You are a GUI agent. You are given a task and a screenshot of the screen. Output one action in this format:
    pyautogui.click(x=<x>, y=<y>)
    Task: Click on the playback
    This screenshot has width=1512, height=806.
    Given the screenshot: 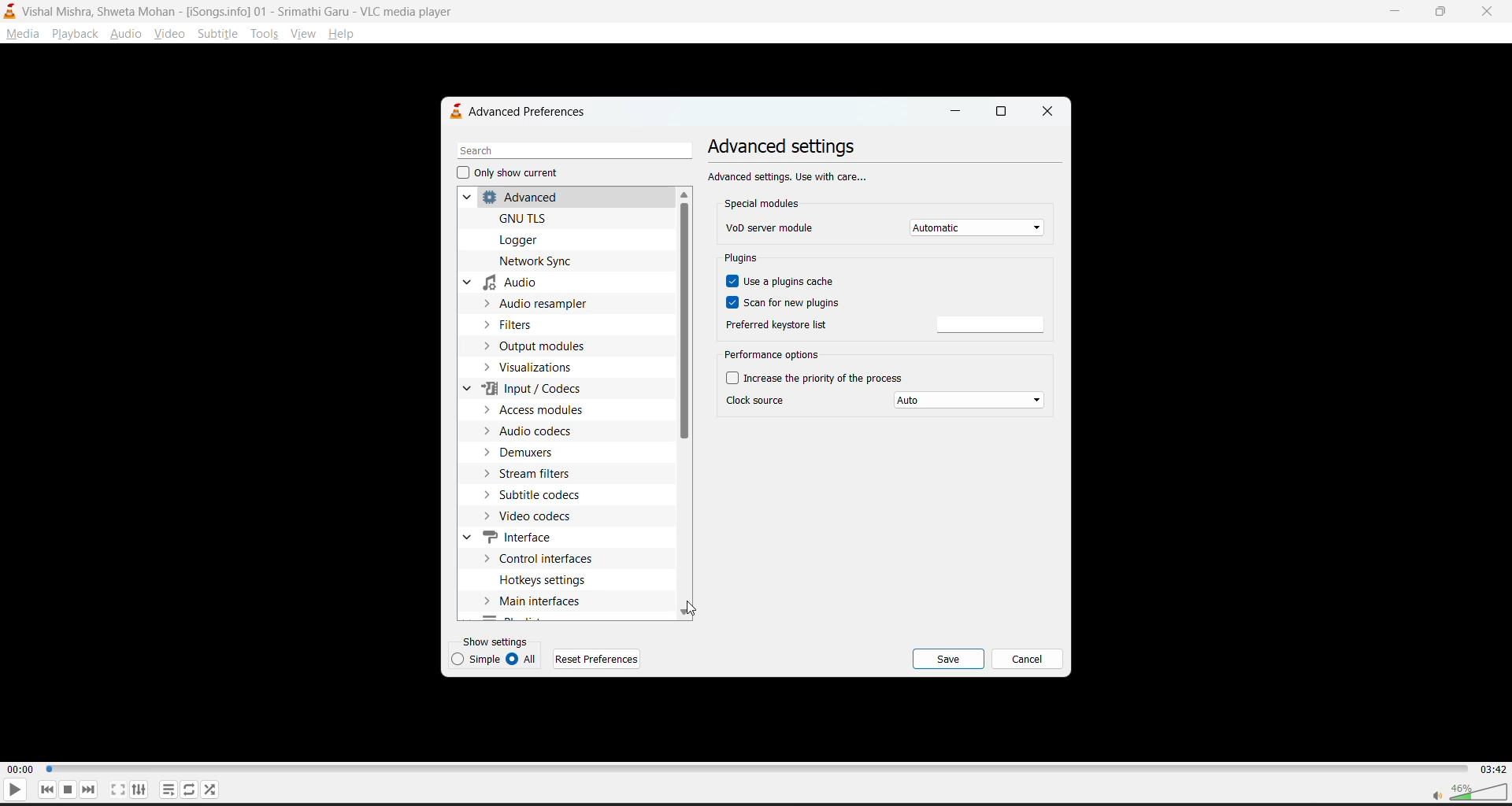 What is the action you would take?
    pyautogui.click(x=76, y=35)
    